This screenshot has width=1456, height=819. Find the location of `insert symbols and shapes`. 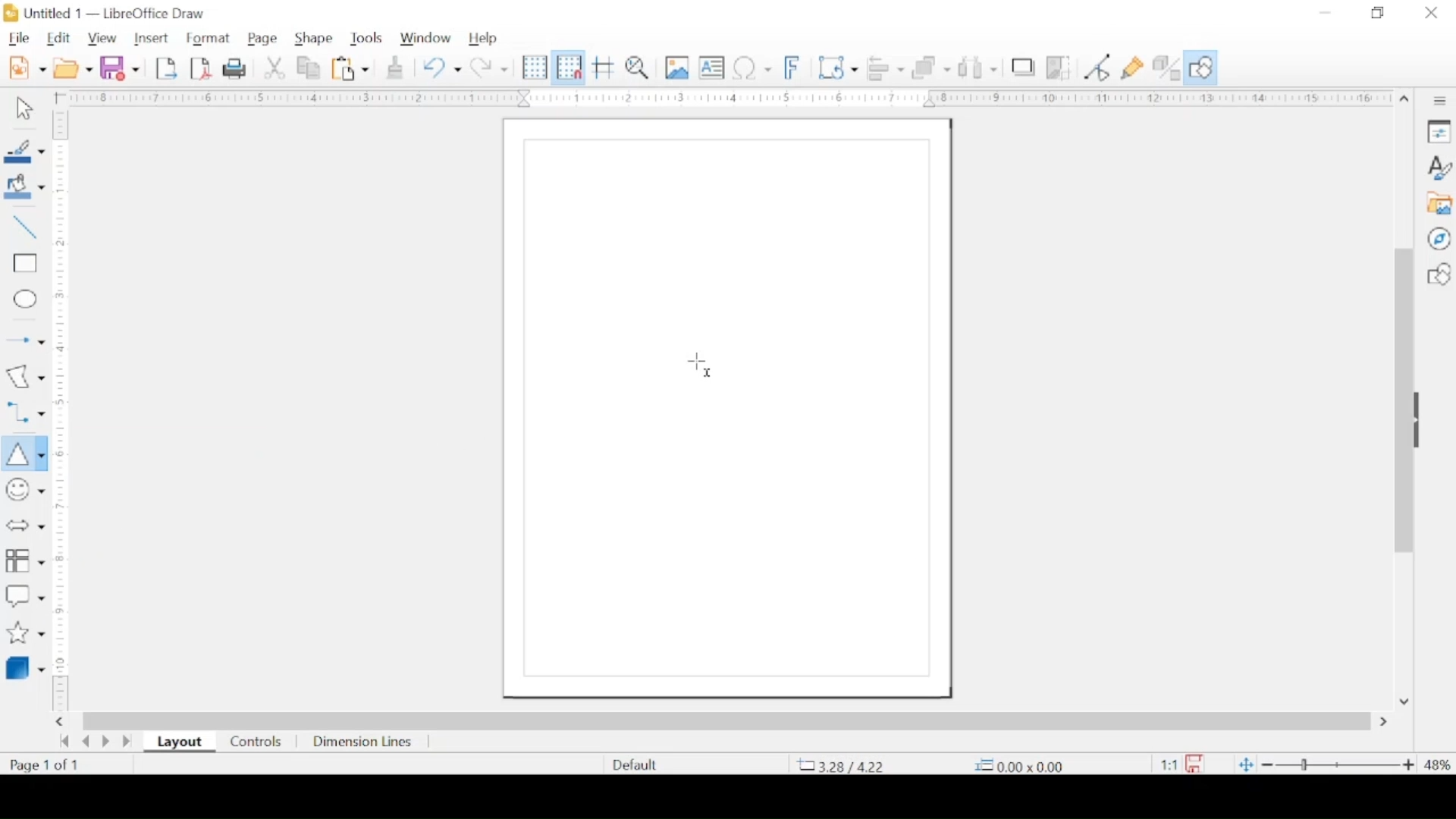

insert symbols and shapes is located at coordinates (24, 490).